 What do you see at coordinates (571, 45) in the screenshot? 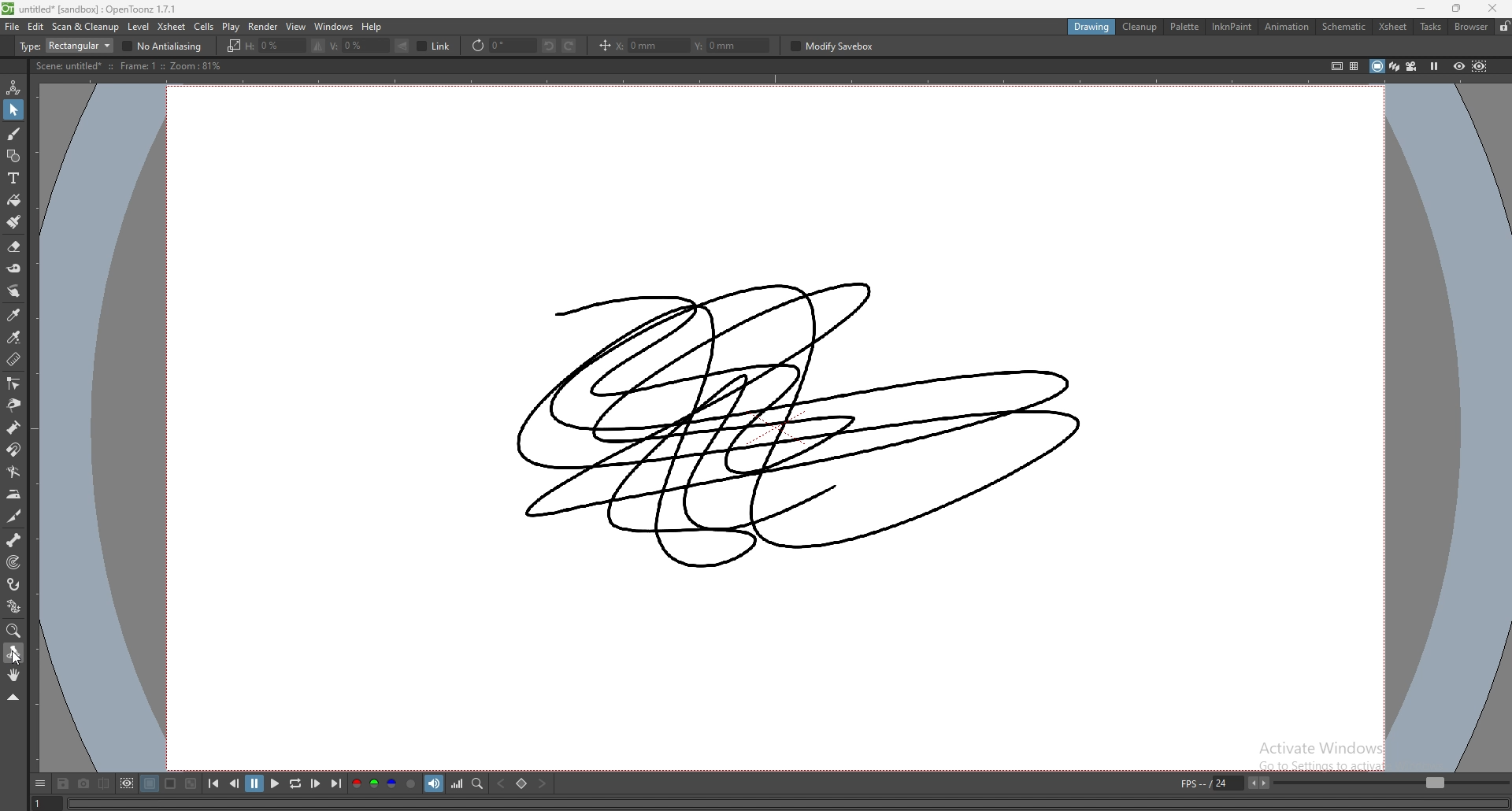
I see `rotate selection right` at bounding box center [571, 45].